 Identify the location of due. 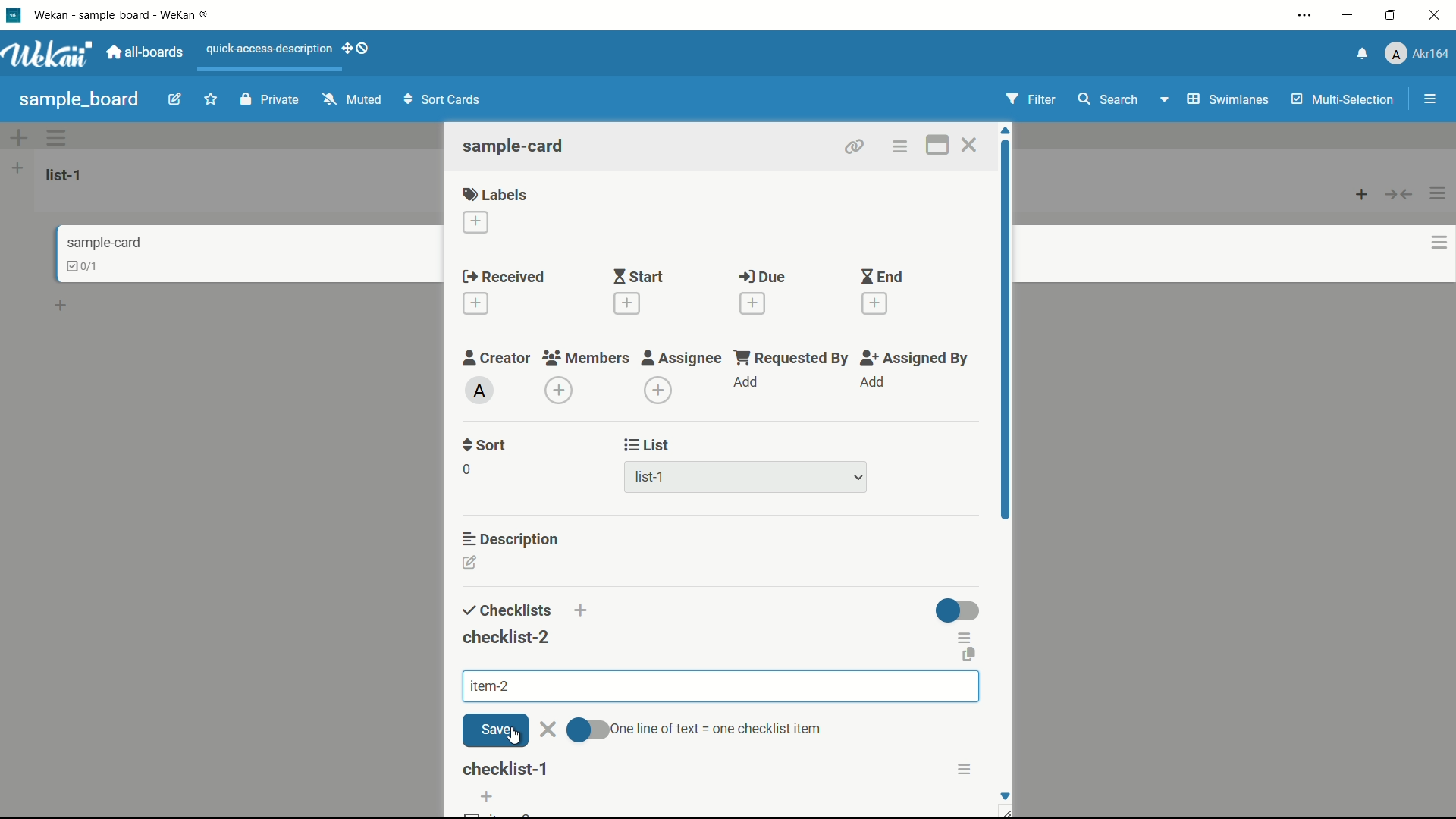
(762, 278).